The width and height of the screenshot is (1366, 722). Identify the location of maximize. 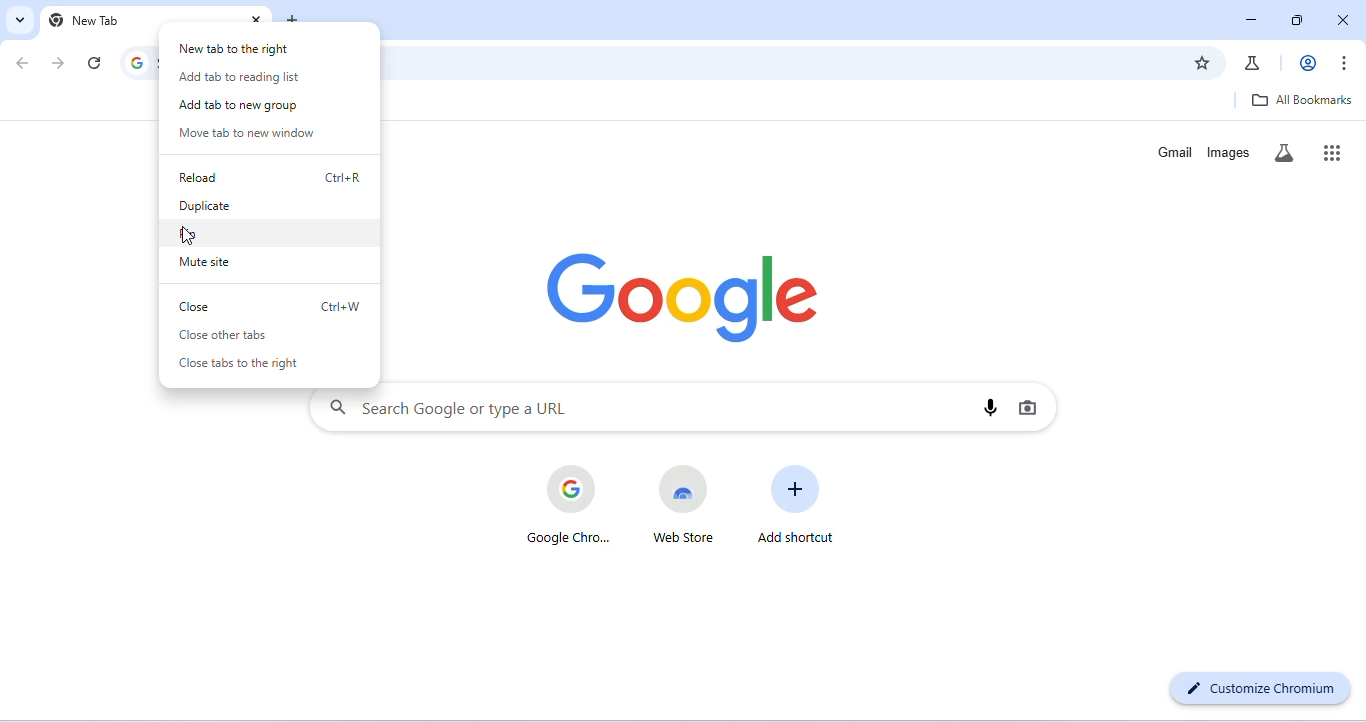
(1302, 21).